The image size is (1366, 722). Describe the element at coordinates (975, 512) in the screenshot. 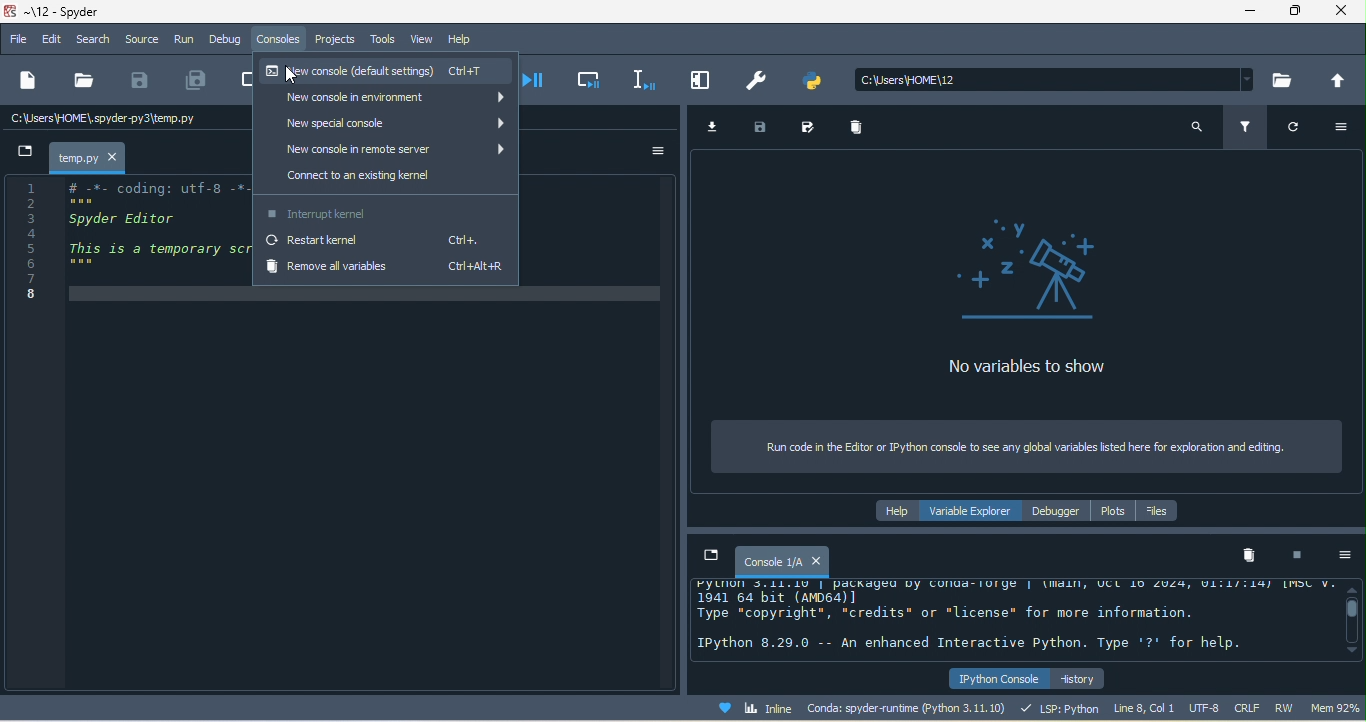

I see `variable explorer` at that location.